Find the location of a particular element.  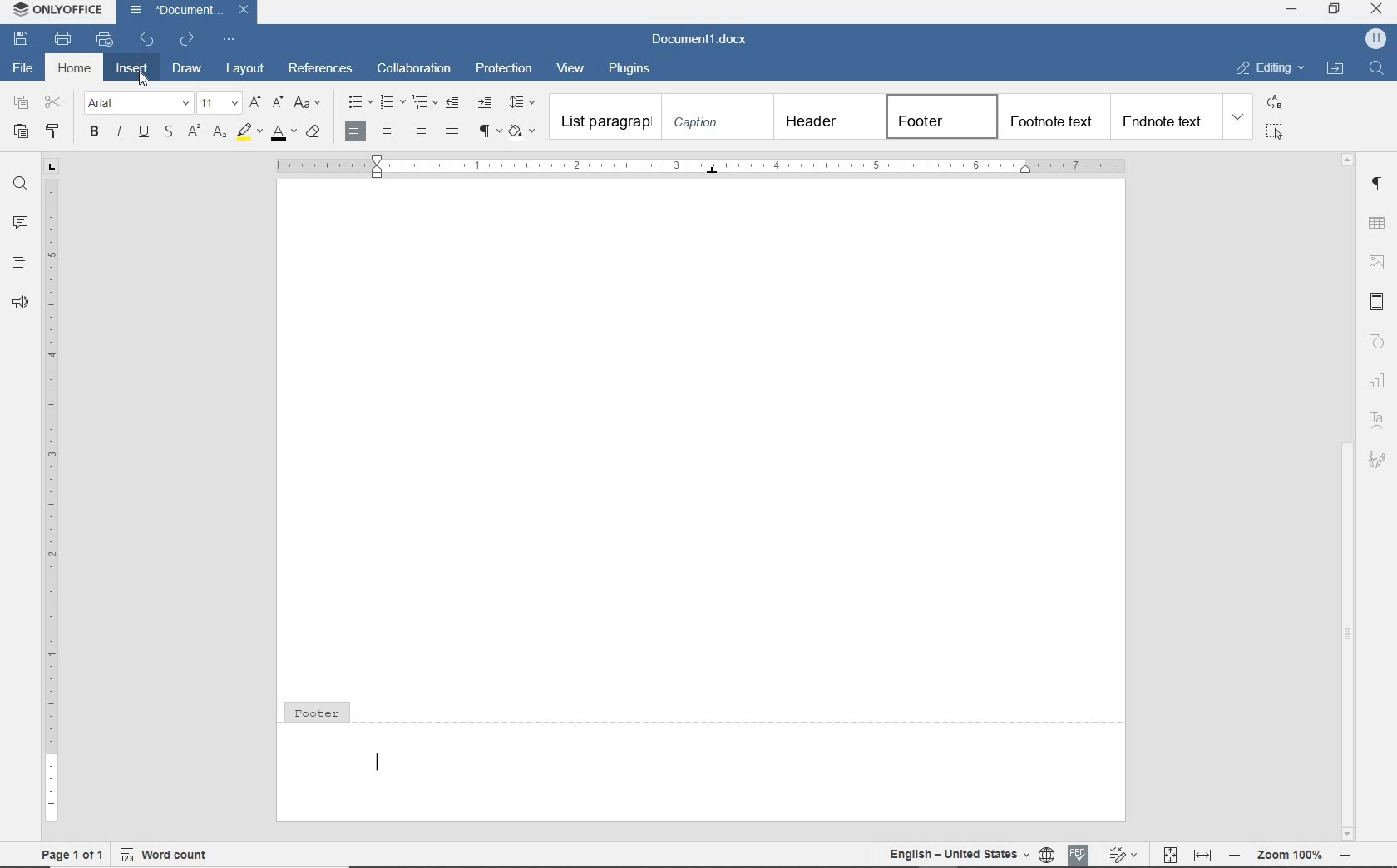

footer is located at coordinates (701, 758).